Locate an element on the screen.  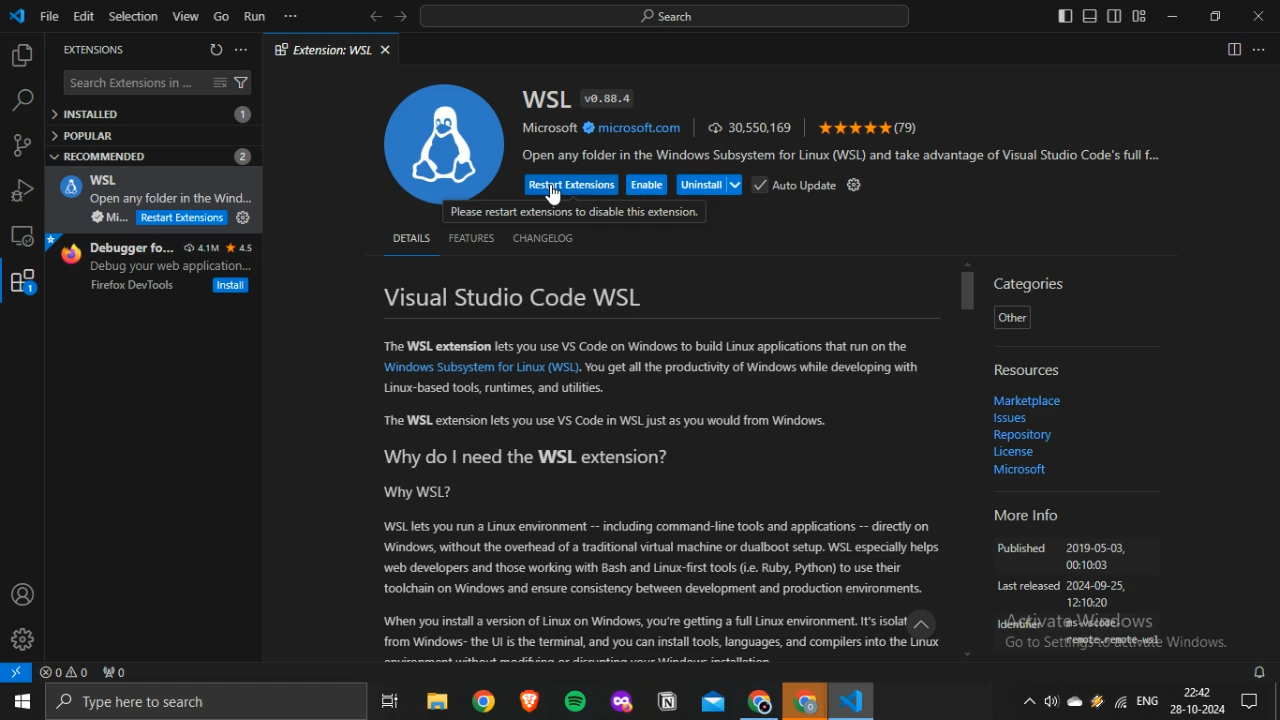
FEATURES is located at coordinates (471, 238).